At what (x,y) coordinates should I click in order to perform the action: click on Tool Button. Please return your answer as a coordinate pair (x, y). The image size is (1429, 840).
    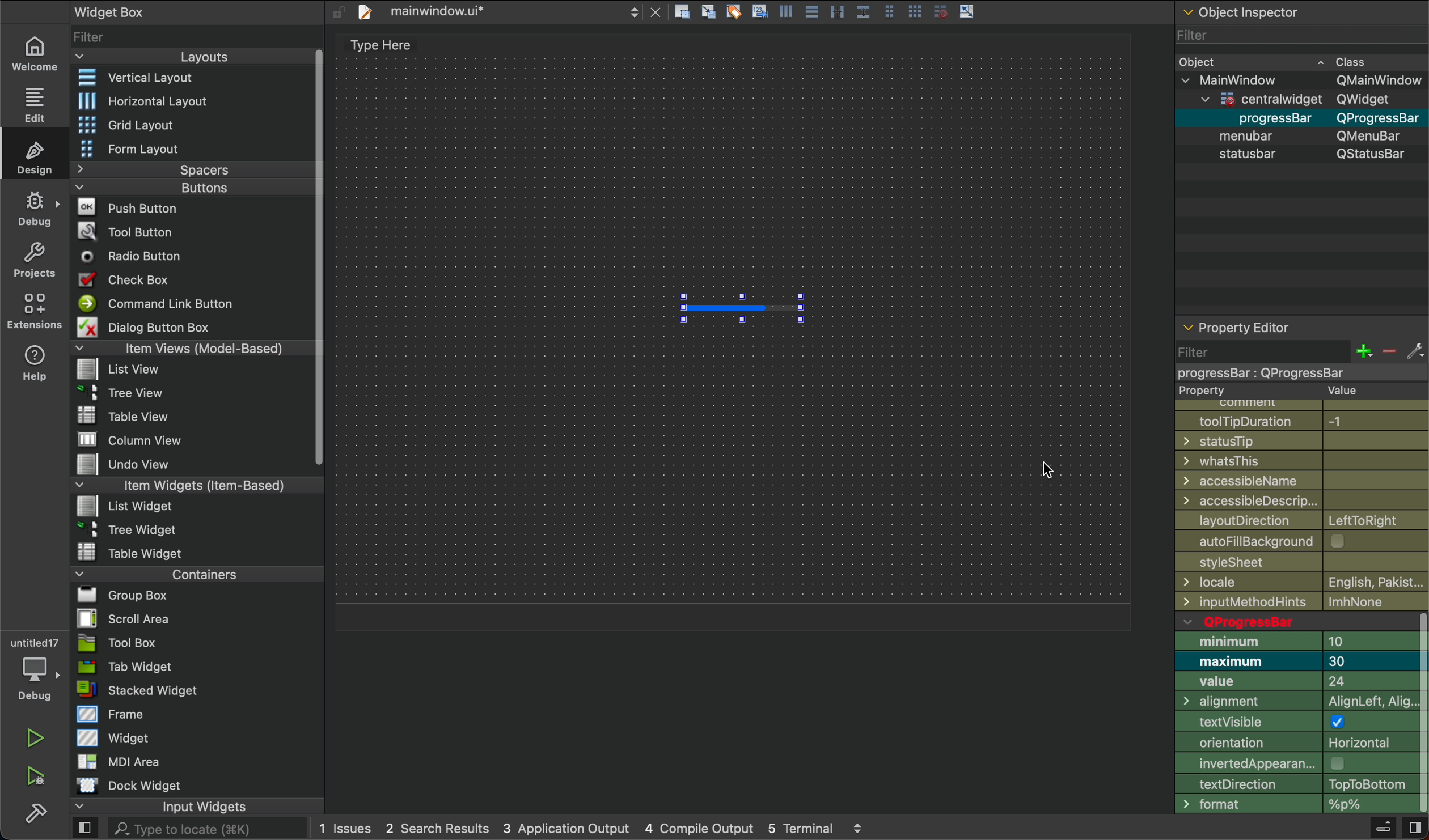
    Looking at the image, I should click on (135, 230).